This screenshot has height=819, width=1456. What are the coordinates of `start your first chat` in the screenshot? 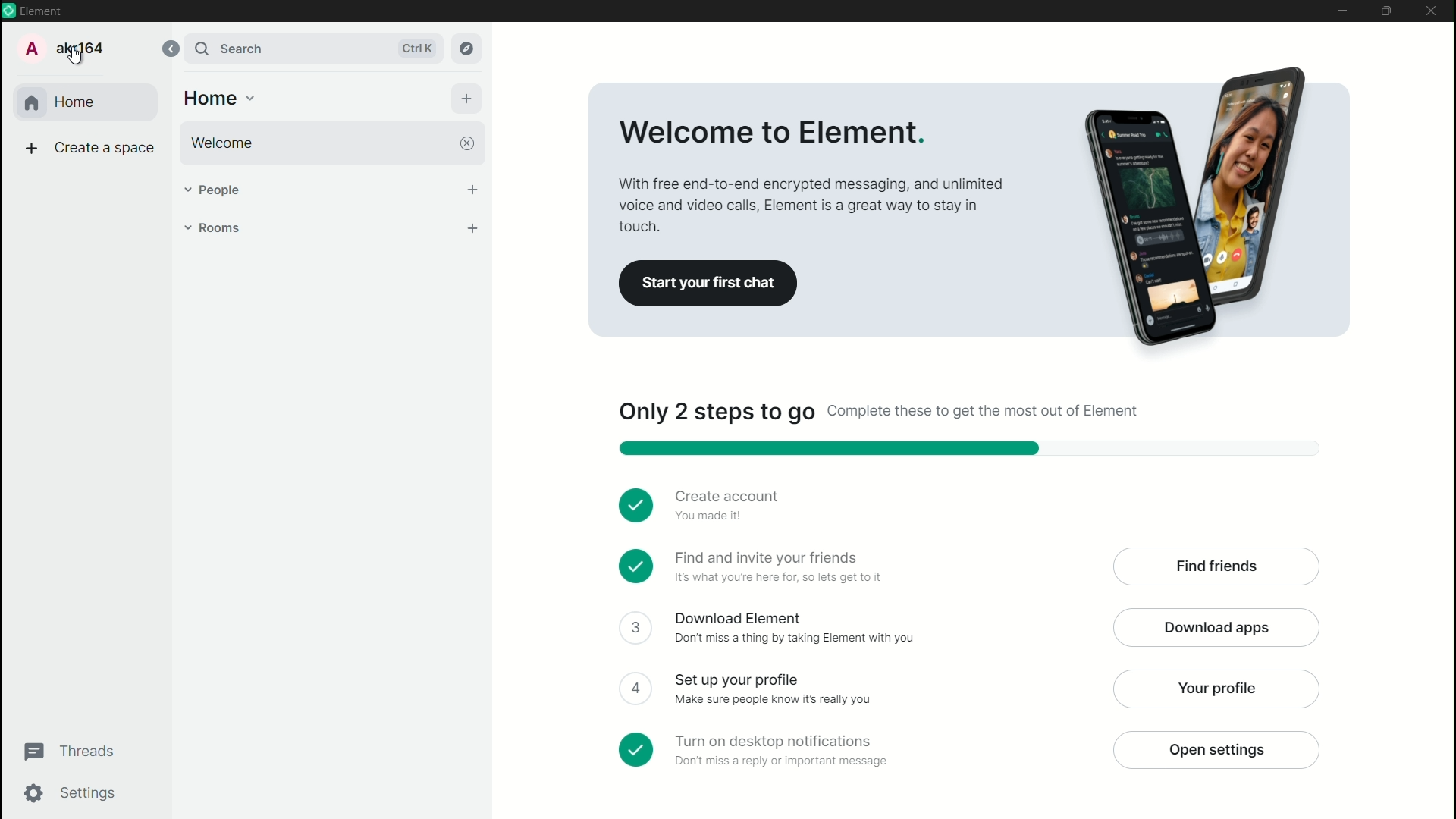 It's located at (711, 283).